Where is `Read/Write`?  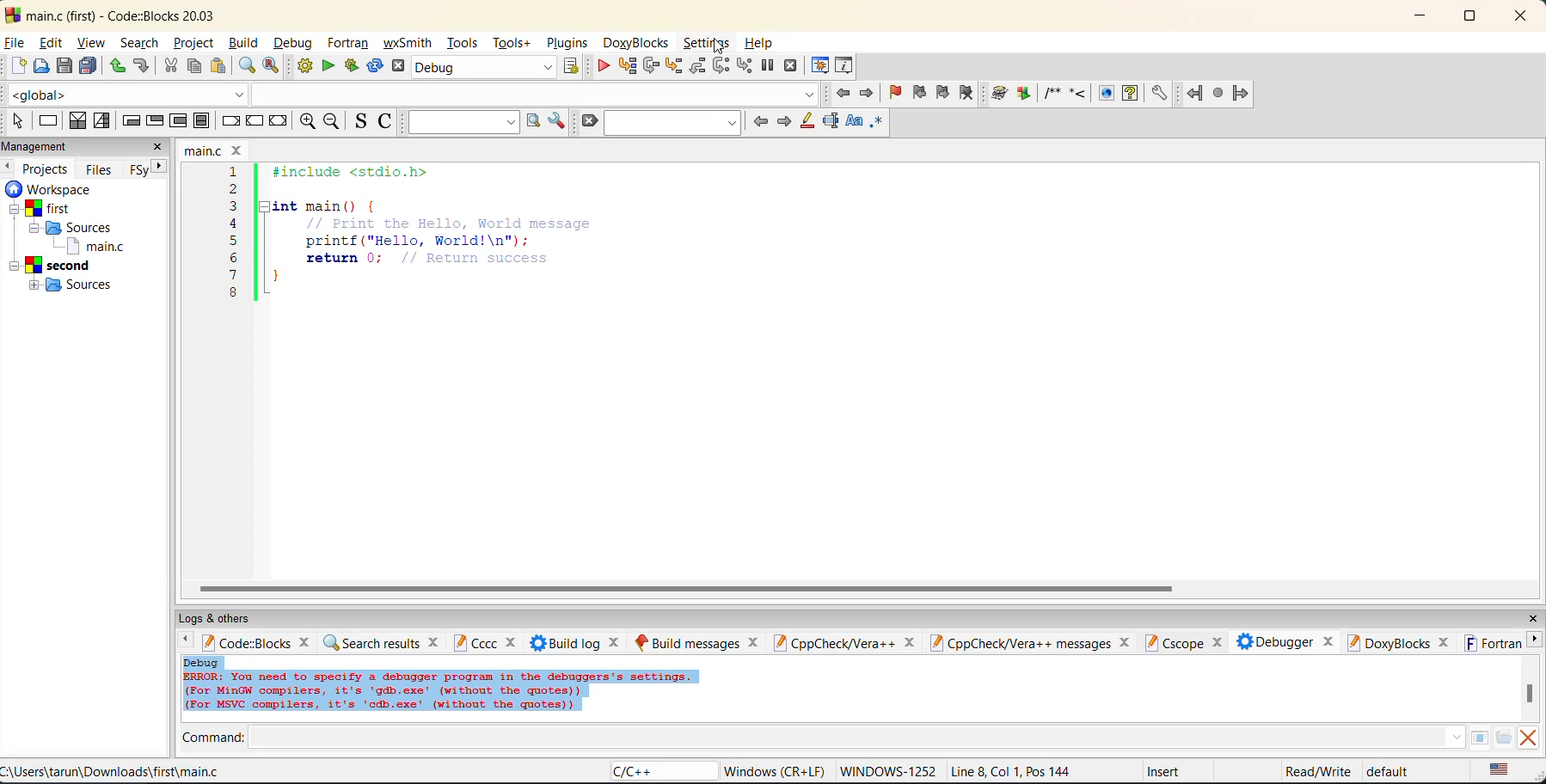
Read/Write is located at coordinates (1316, 770).